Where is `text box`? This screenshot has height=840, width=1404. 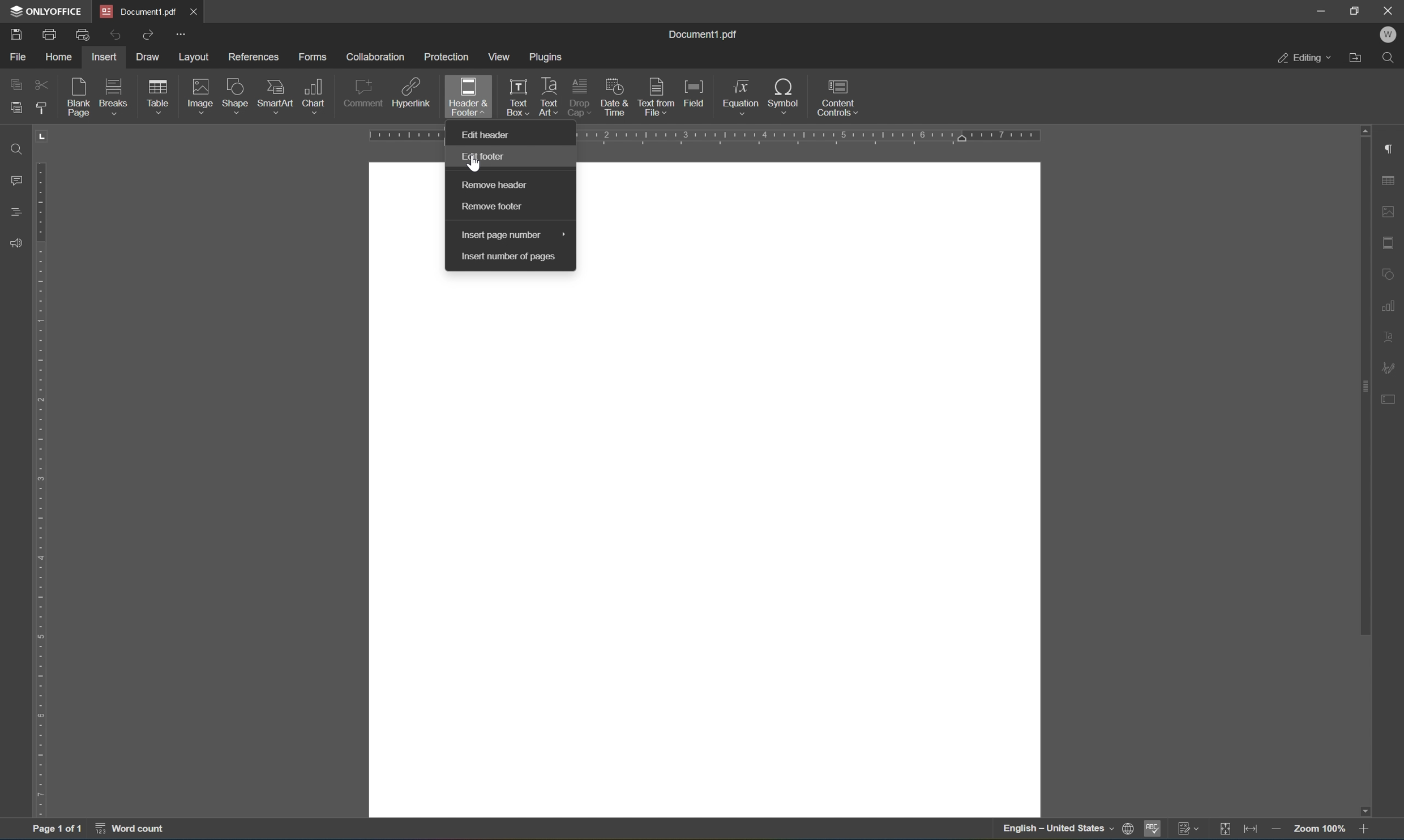 text box is located at coordinates (515, 87).